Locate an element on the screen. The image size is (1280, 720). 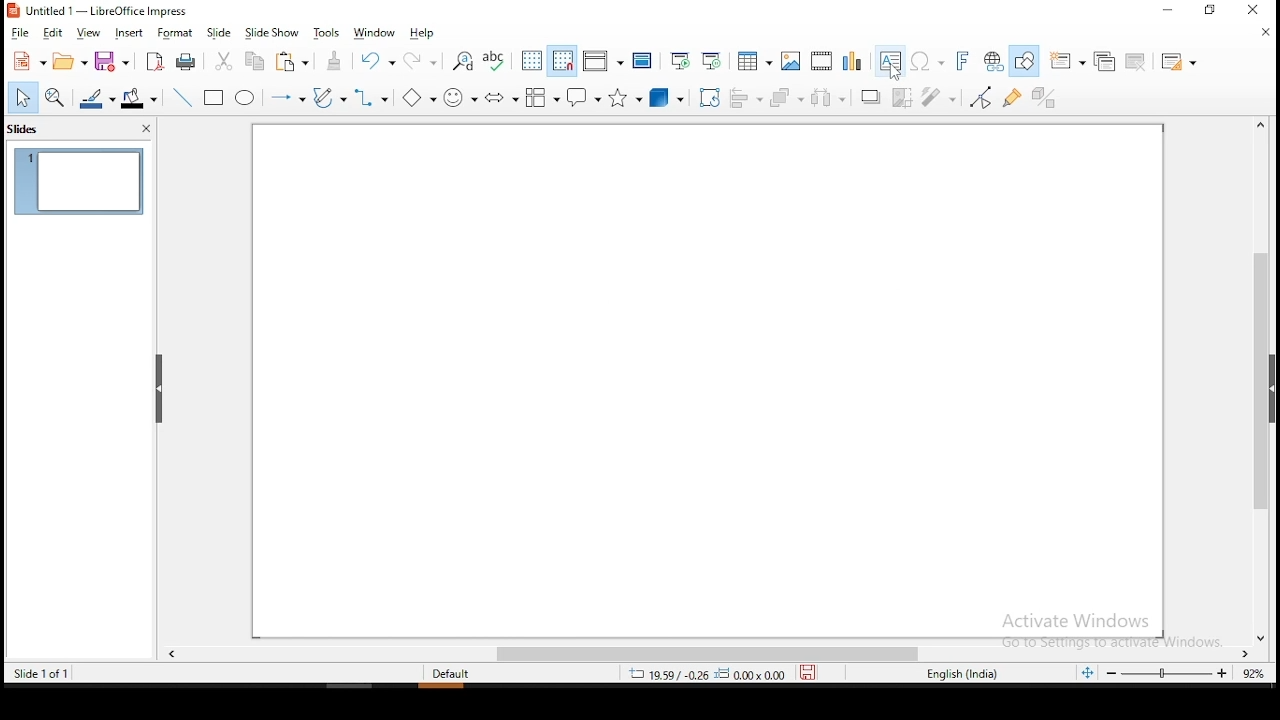
view is located at coordinates (91, 33).